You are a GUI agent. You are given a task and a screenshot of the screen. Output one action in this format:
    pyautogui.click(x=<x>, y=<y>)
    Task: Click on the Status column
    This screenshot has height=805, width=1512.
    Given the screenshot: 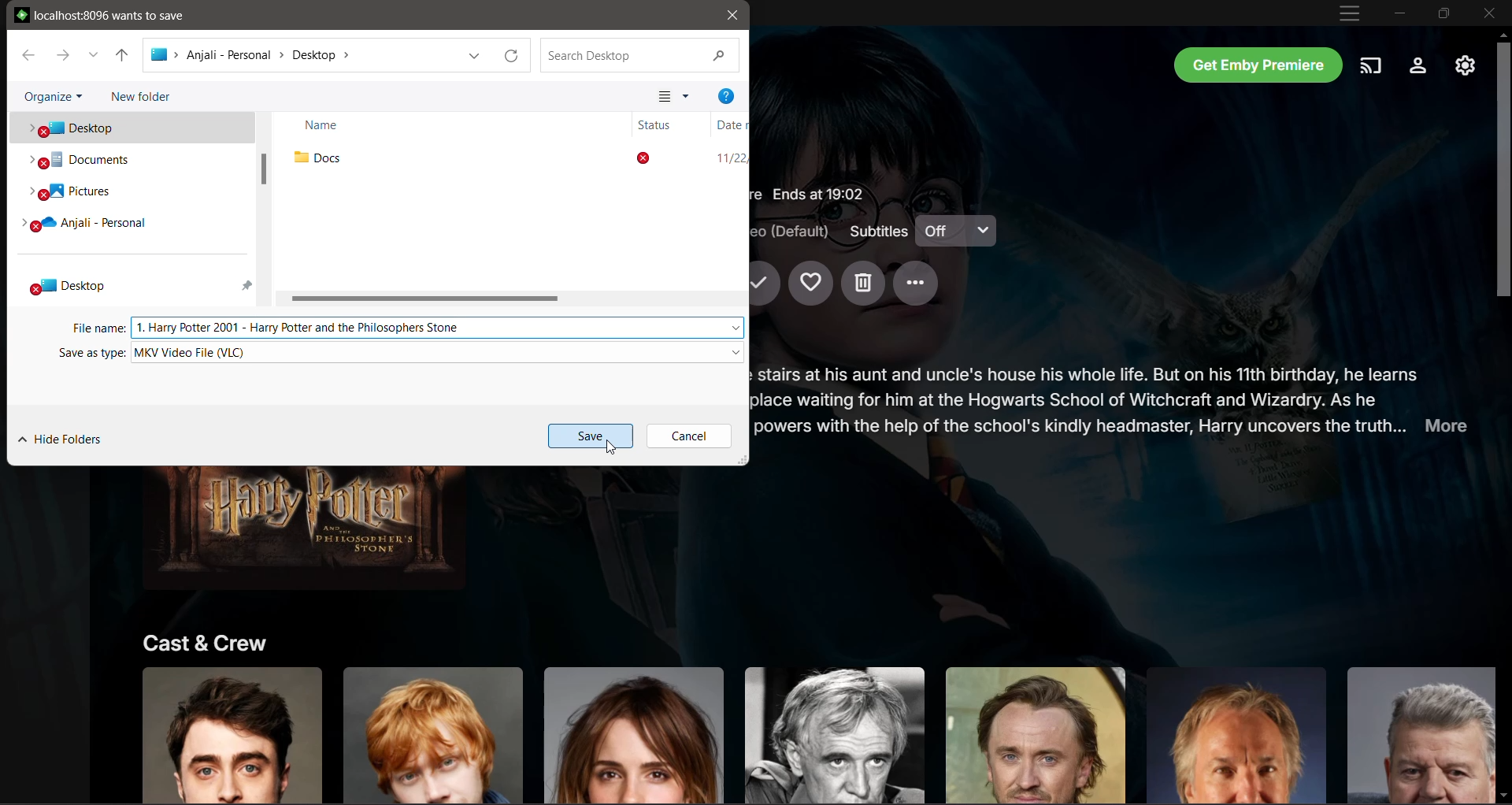 What is the action you would take?
    pyautogui.click(x=664, y=124)
    